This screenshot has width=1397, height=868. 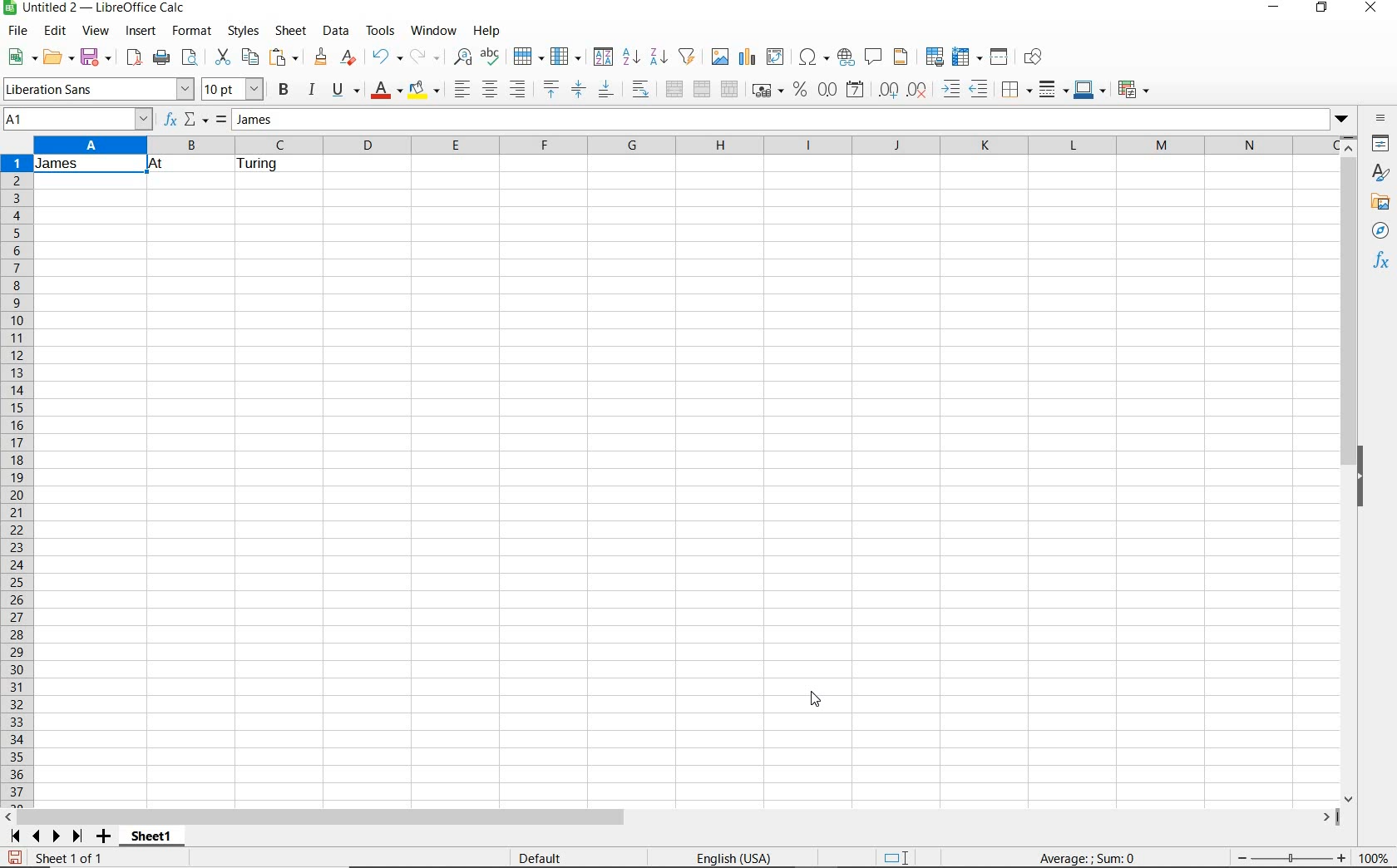 What do you see at coordinates (244, 33) in the screenshot?
I see `styles` at bounding box center [244, 33].